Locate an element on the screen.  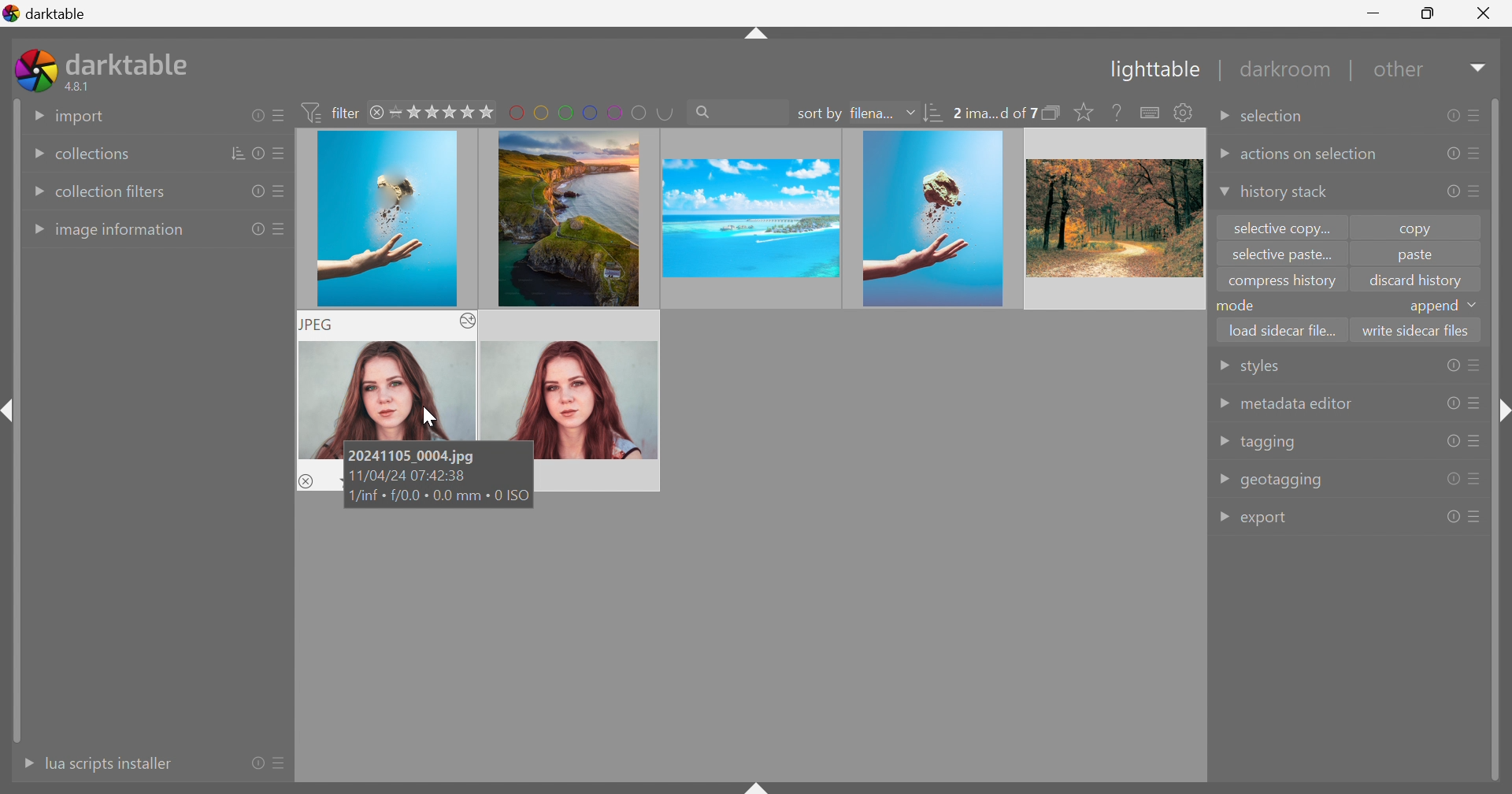
shift+ctrl+t is located at coordinates (754, 36).